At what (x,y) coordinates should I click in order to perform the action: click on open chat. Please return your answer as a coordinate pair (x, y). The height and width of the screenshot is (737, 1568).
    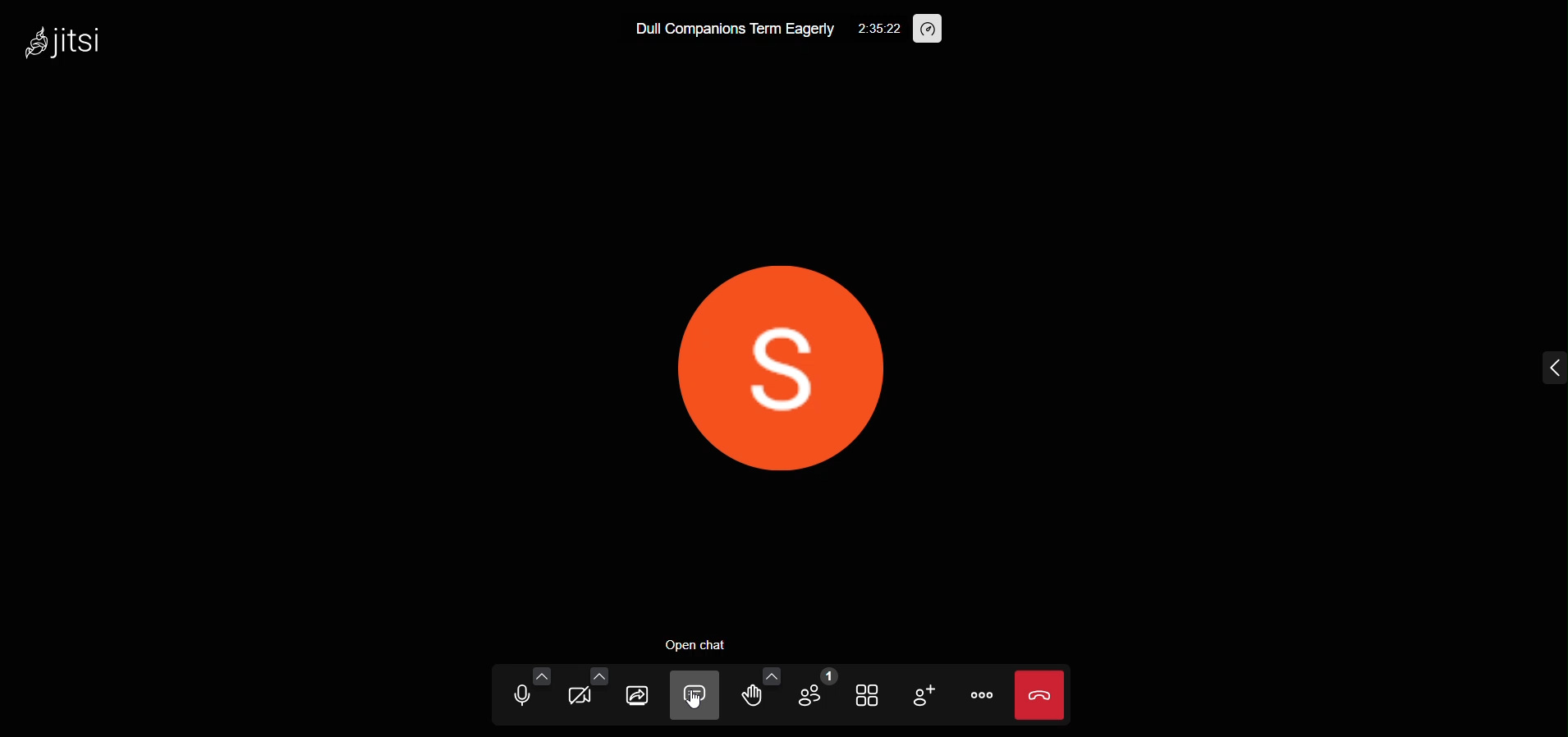
    Looking at the image, I should click on (701, 644).